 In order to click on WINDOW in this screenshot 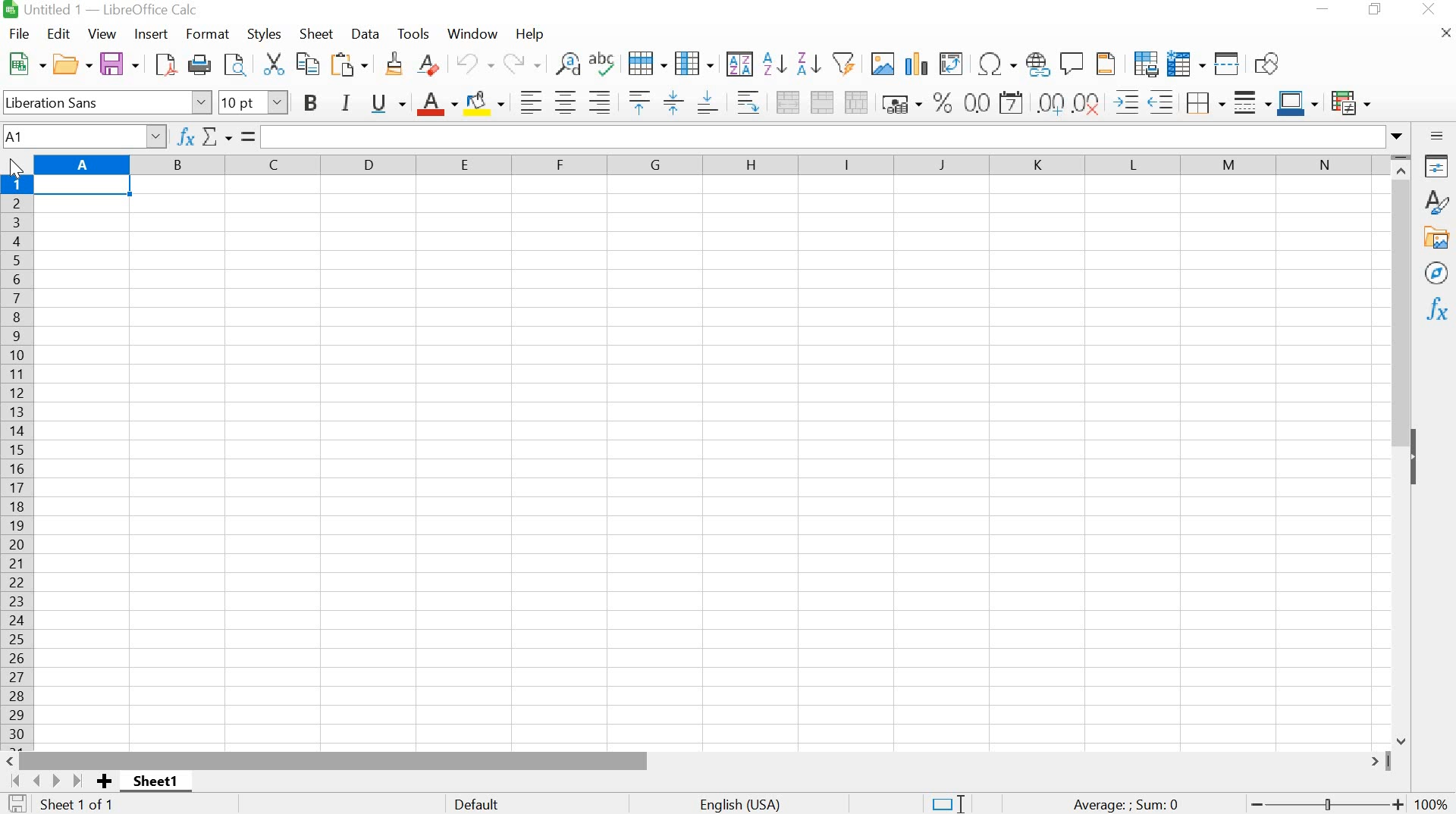, I will do `click(472, 36)`.